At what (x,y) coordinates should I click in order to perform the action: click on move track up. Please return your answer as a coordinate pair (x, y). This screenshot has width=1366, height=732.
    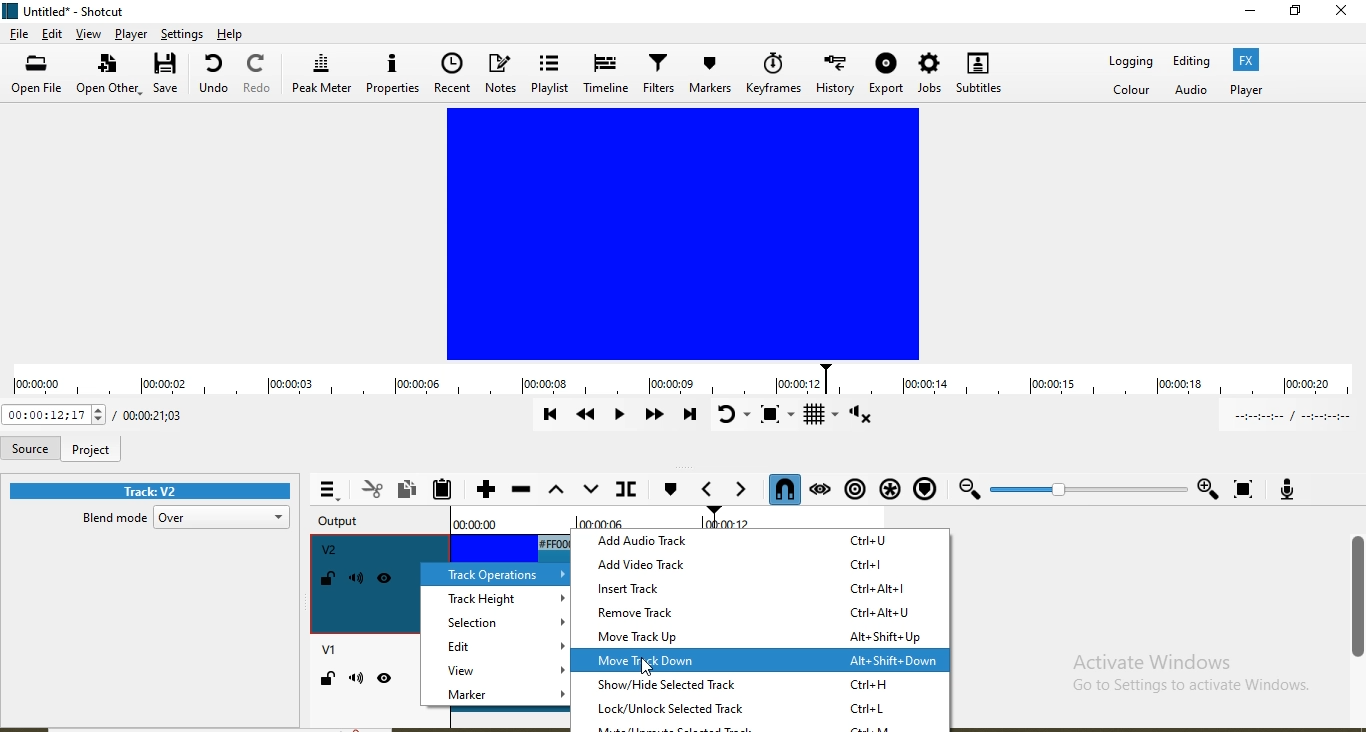
    Looking at the image, I should click on (766, 637).